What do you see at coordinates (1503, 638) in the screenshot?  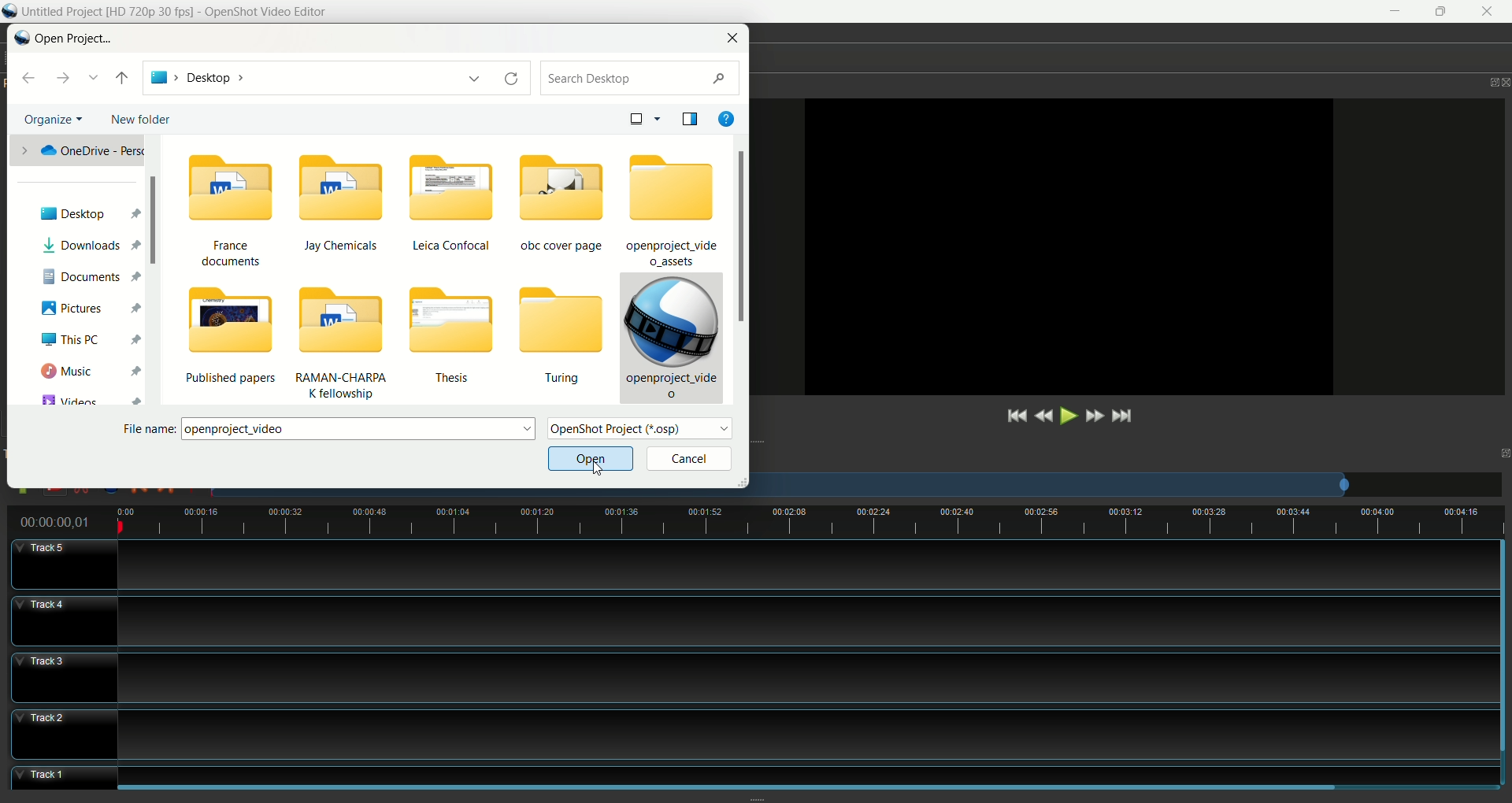 I see `scrollbar` at bounding box center [1503, 638].